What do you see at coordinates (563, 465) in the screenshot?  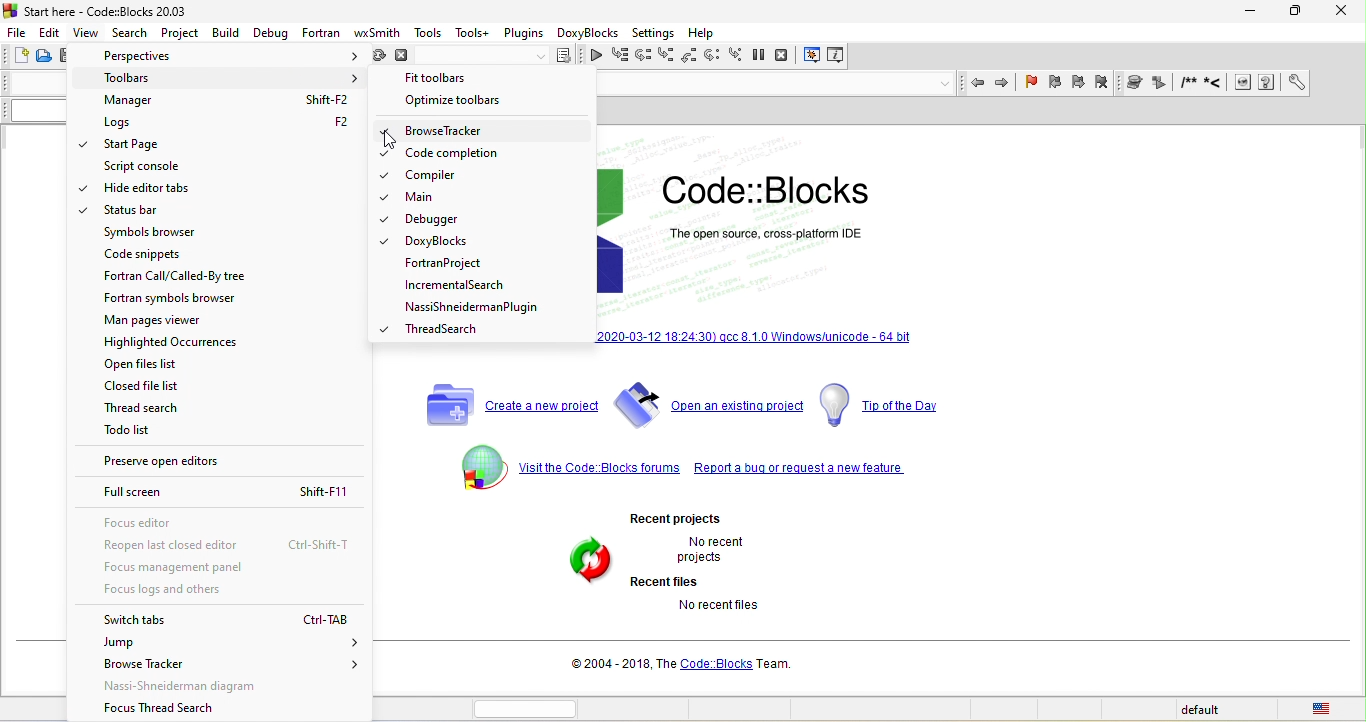 I see `visit the code blocks forums` at bounding box center [563, 465].